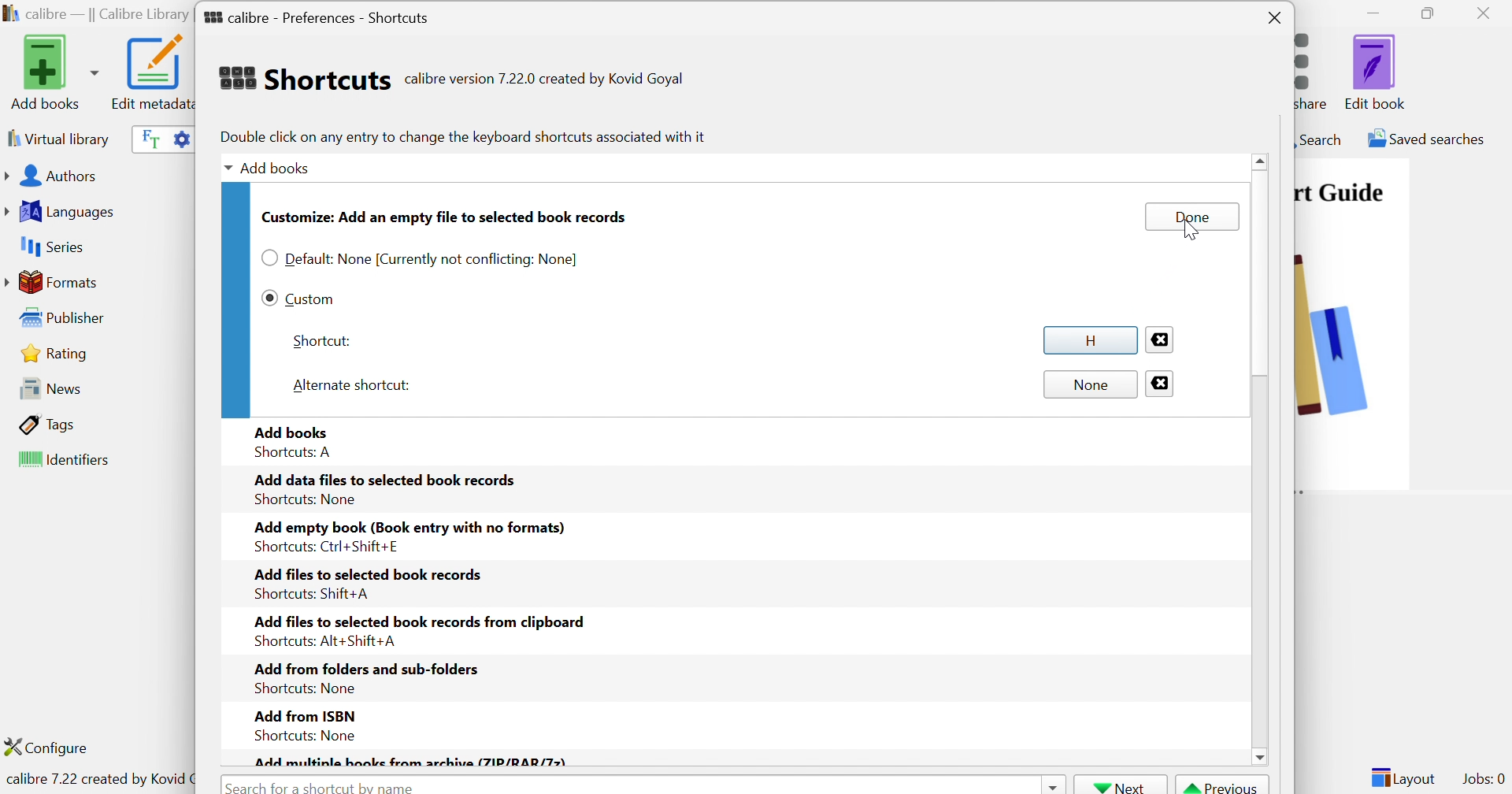 The height and width of the screenshot is (794, 1512). I want to click on Checkbox, so click(269, 258).